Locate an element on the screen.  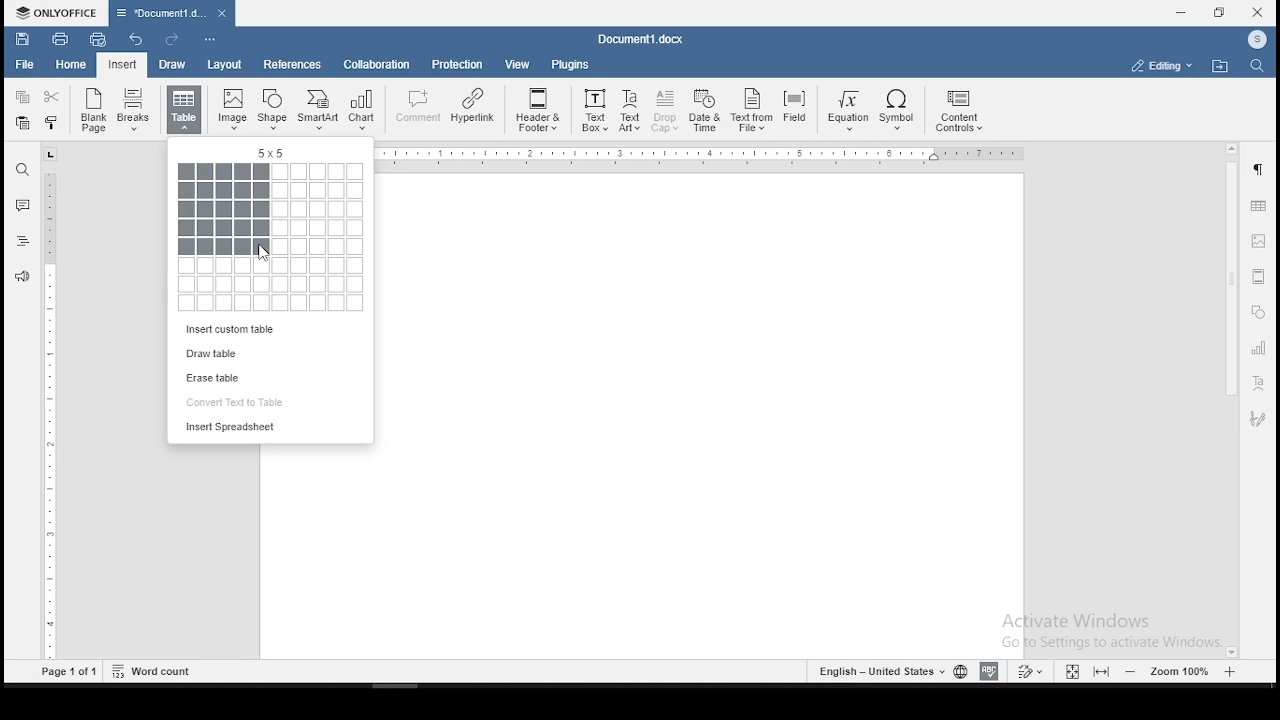
insert spreadsheet is located at coordinates (271, 430).